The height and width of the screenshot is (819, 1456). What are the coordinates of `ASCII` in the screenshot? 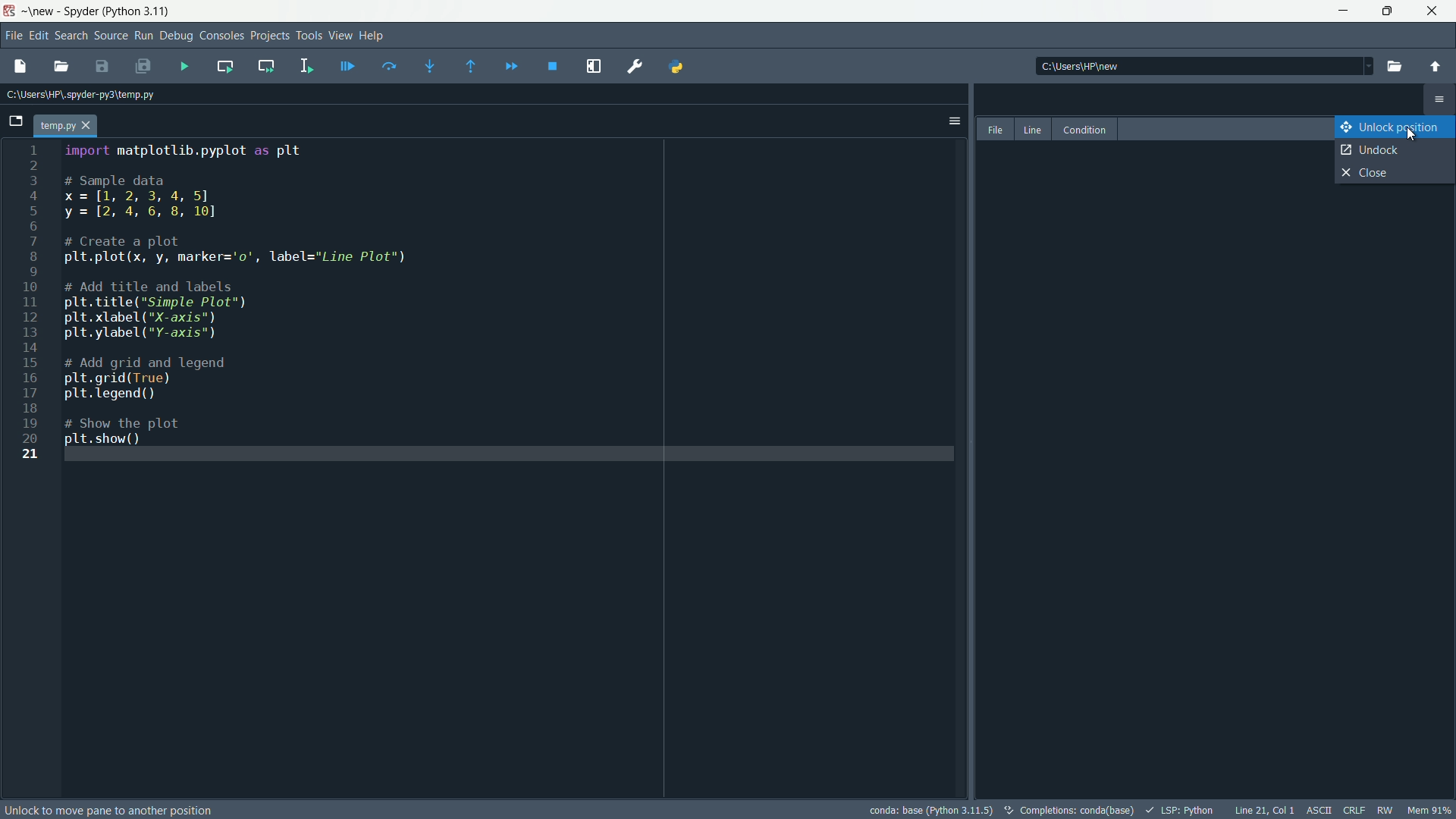 It's located at (1317, 811).